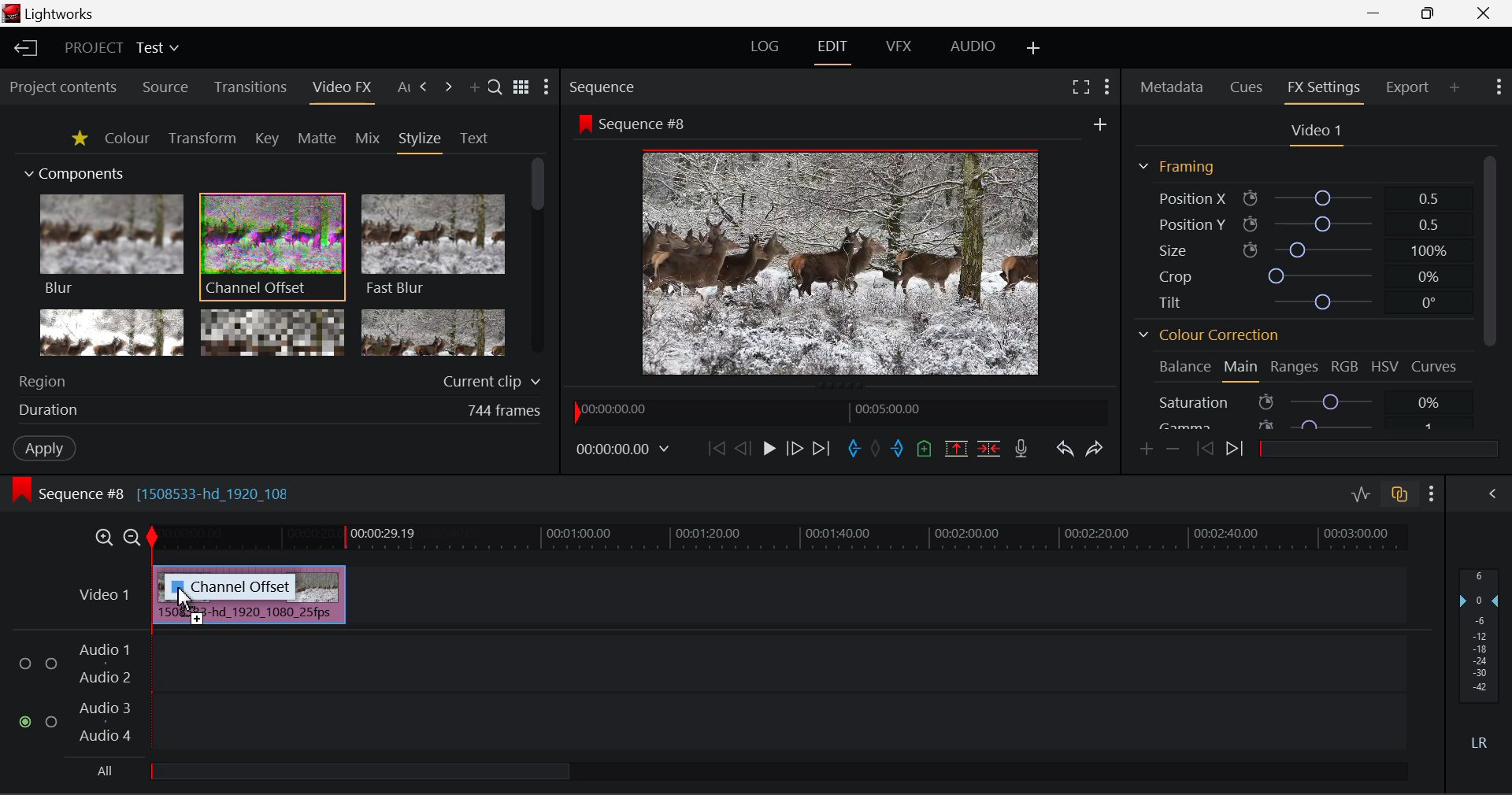  I want to click on Scroll Bar, so click(535, 256).